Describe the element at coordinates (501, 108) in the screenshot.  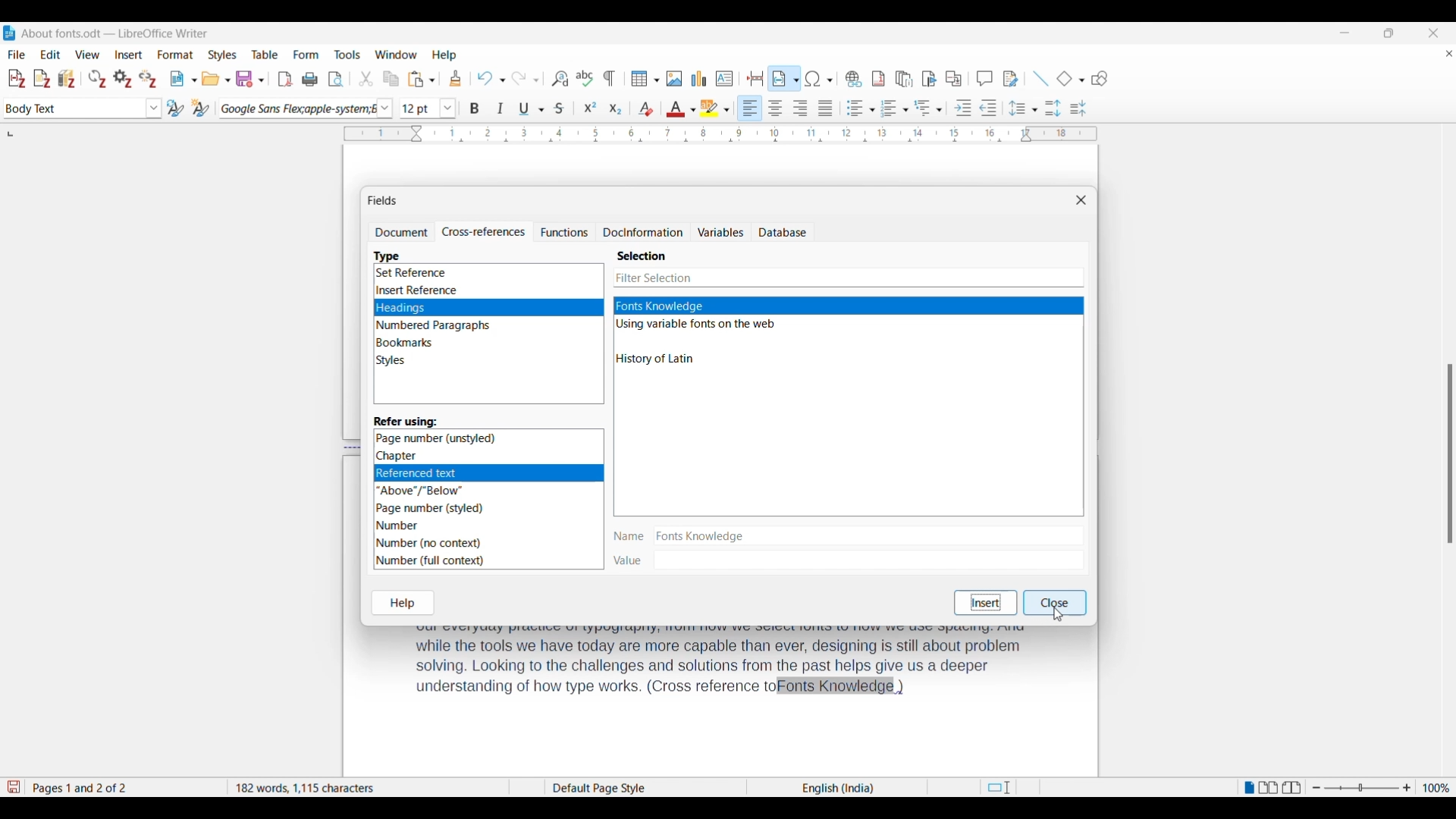
I see `Italics` at that location.